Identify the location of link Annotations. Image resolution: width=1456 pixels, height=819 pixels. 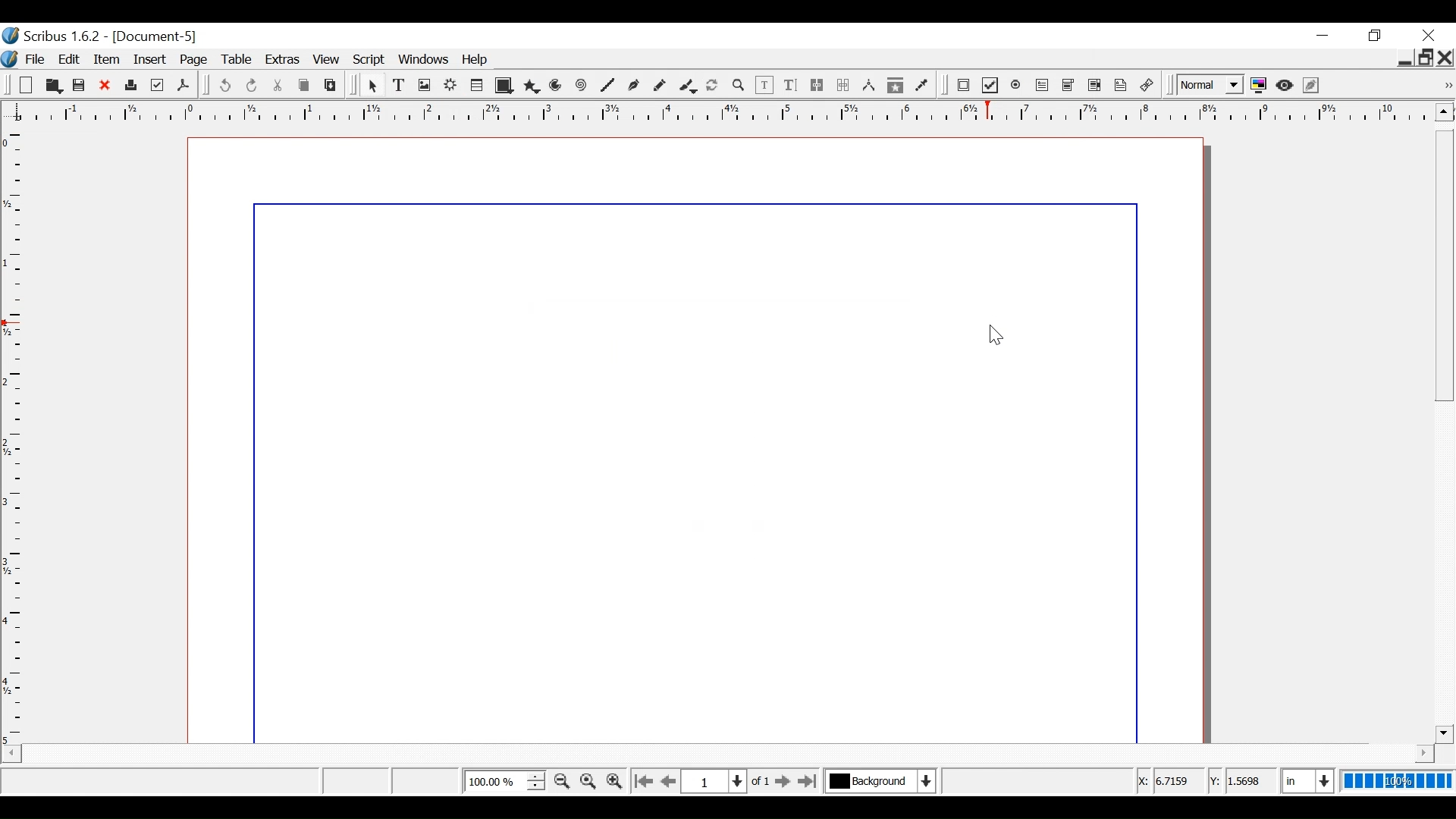
(1147, 86).